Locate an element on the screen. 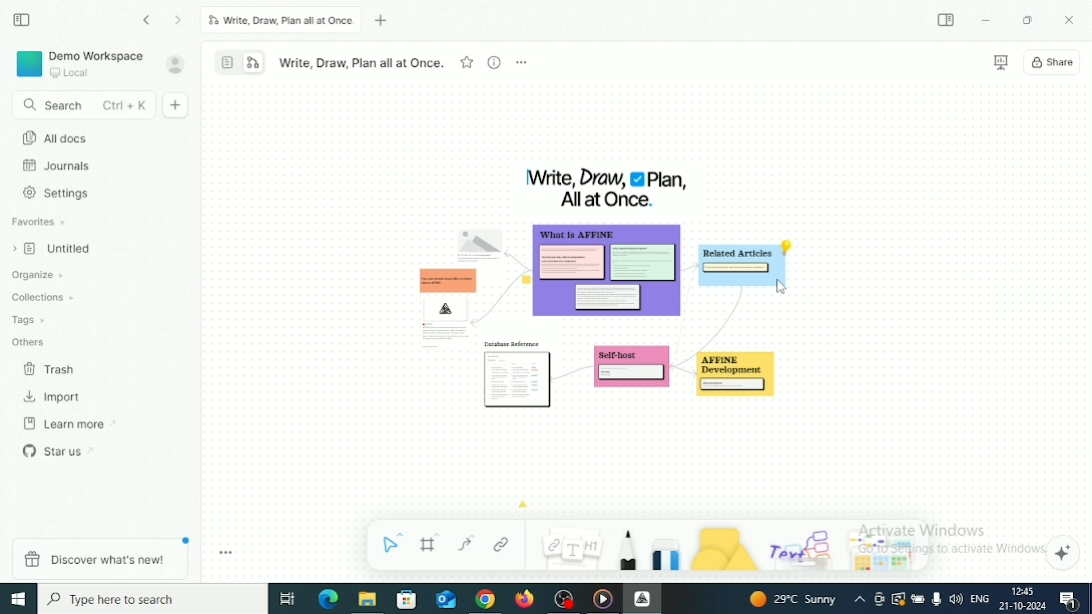  Notifications is located at coordinates (1067, 600).